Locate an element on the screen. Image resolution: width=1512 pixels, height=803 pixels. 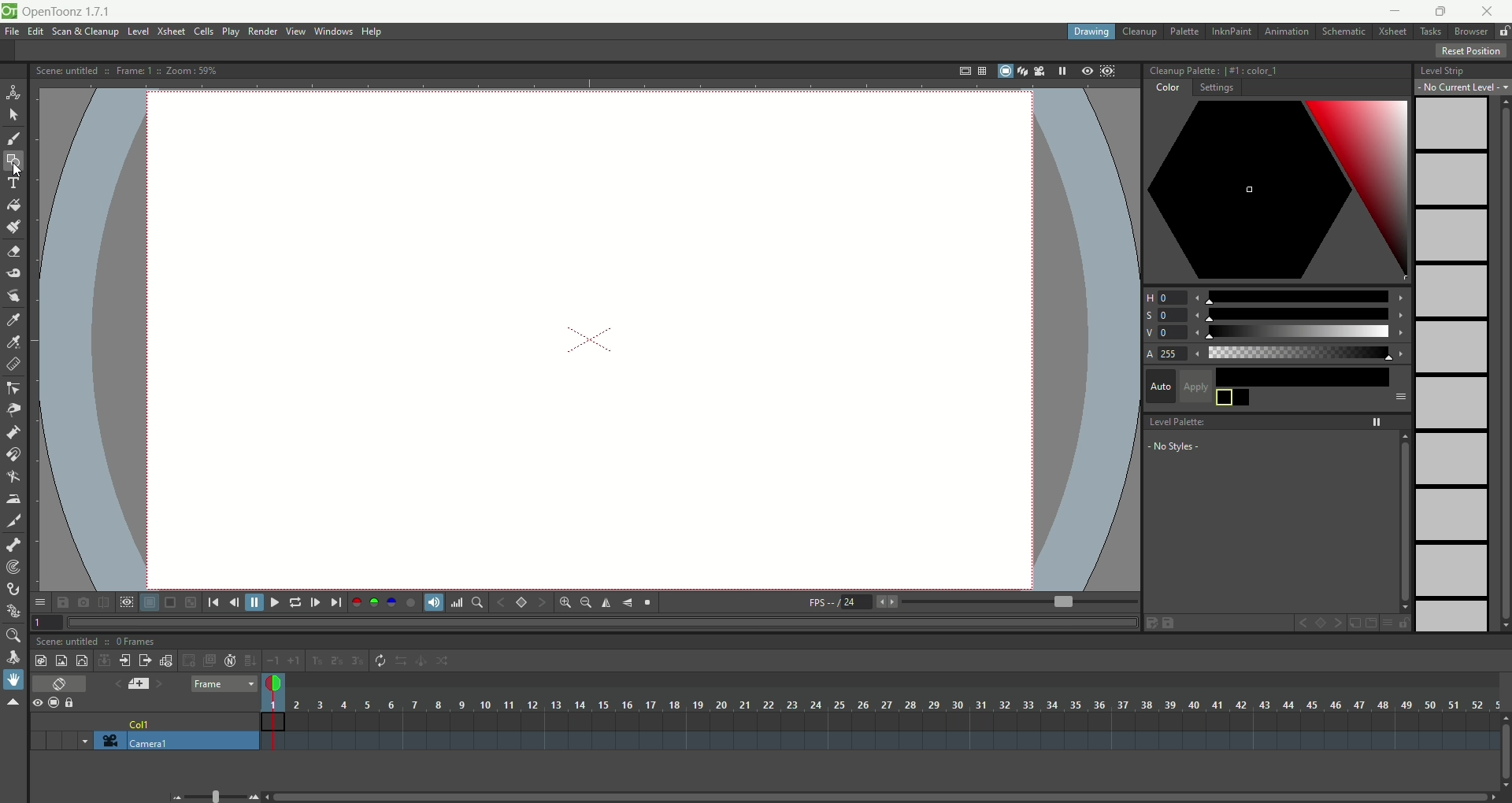
reverse is located at coordinates (402, 661).